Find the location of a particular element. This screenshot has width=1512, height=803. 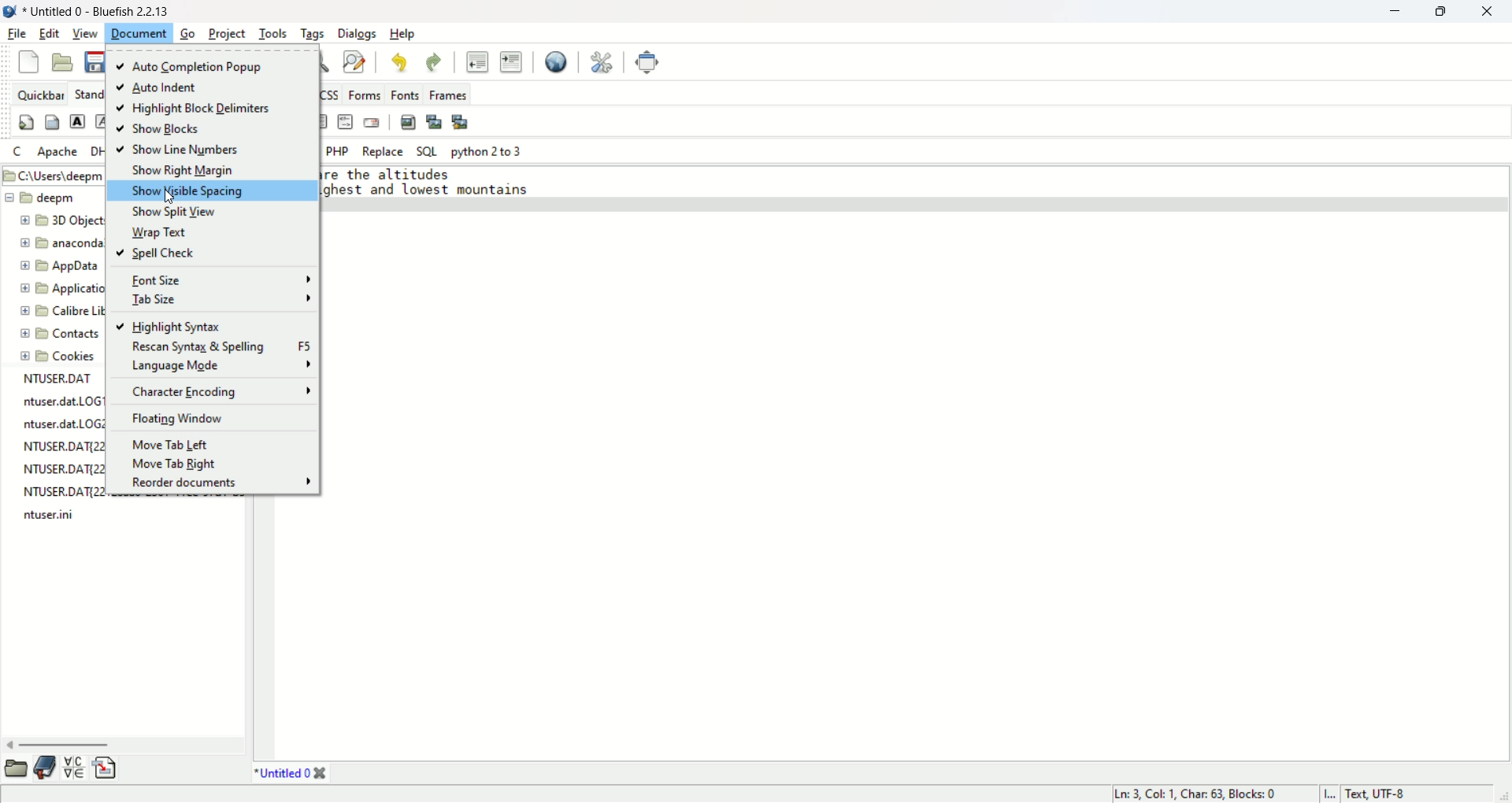

maximize is located at coordinates (1438, 12).